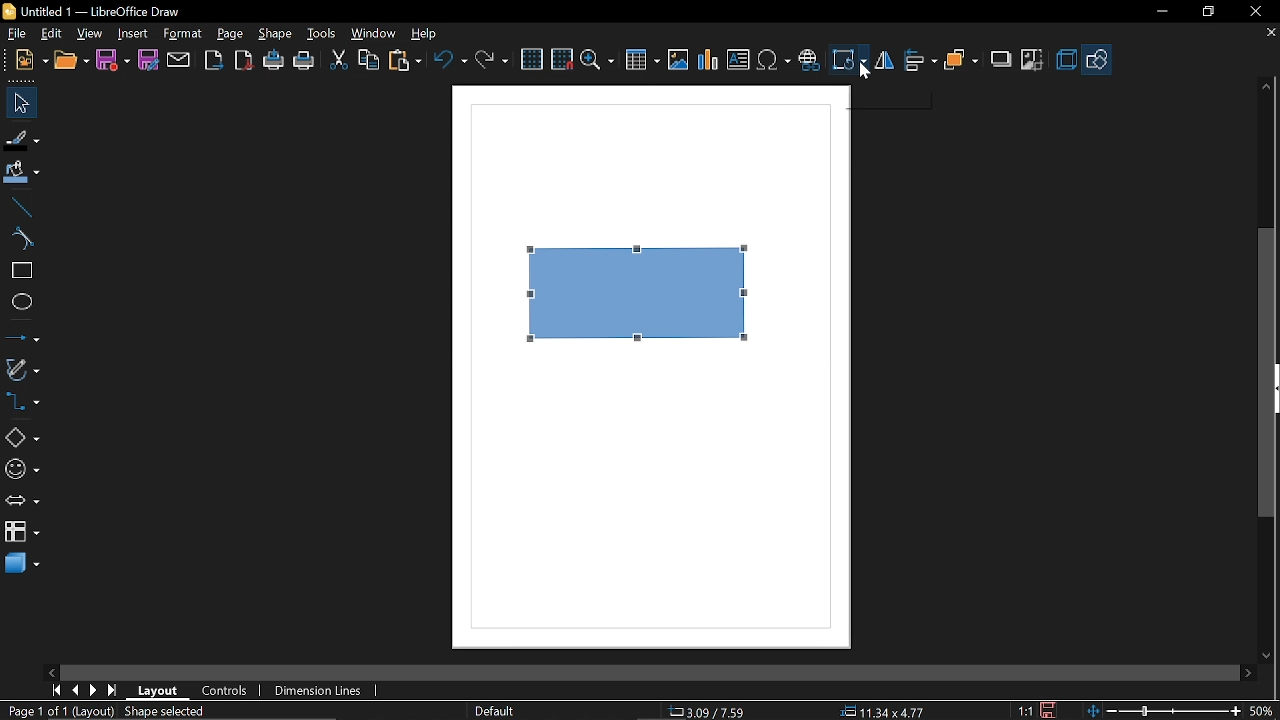 This screenshot has width=1280, height=720. What do you see at coordinates (643, 61) in the screenshot?
I see `Insert table` at bounding box center [643, 61].